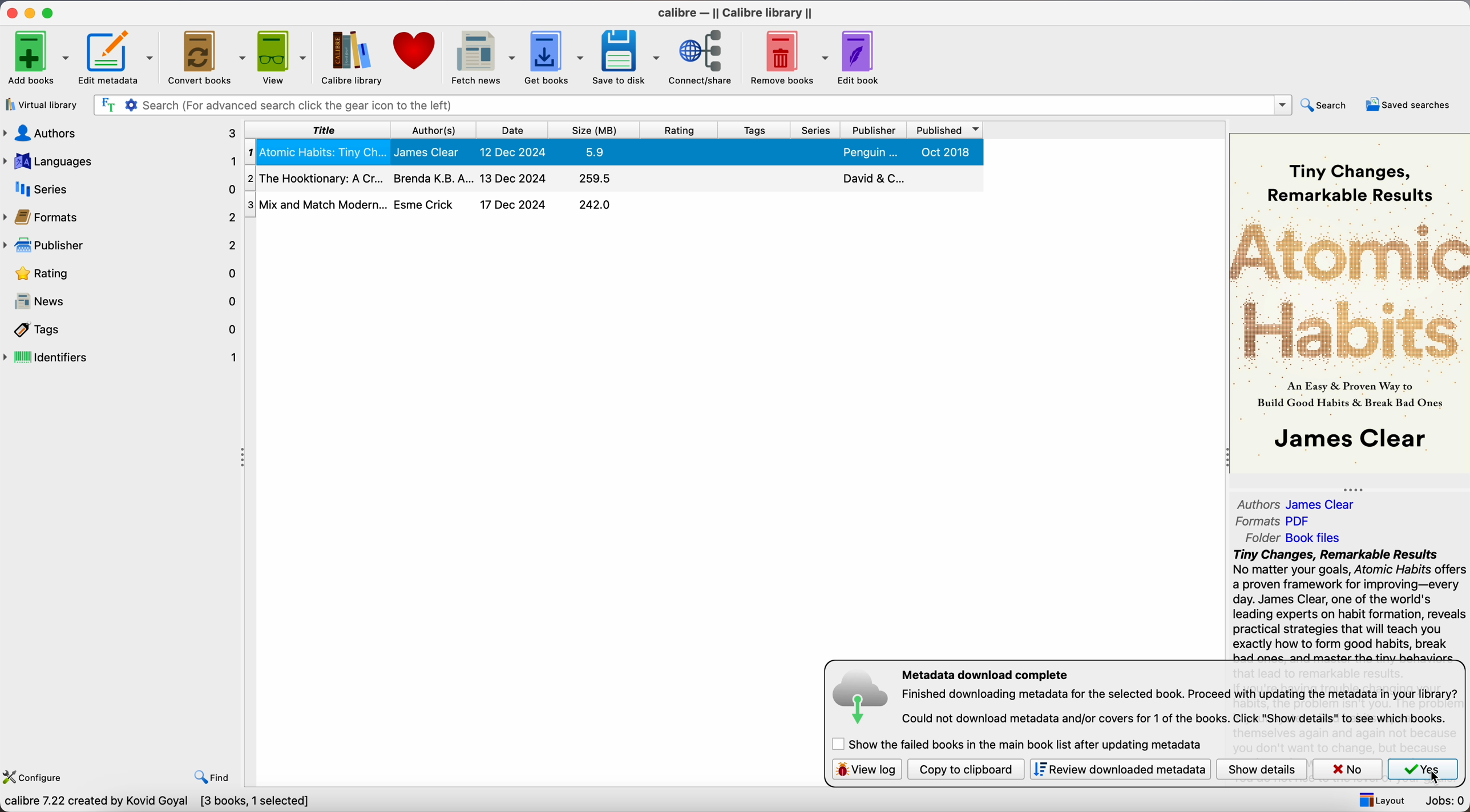 The image size is (1470, 812). Describe the element at coordinates (816, 130) in the screenshot. I see `series` at that location.